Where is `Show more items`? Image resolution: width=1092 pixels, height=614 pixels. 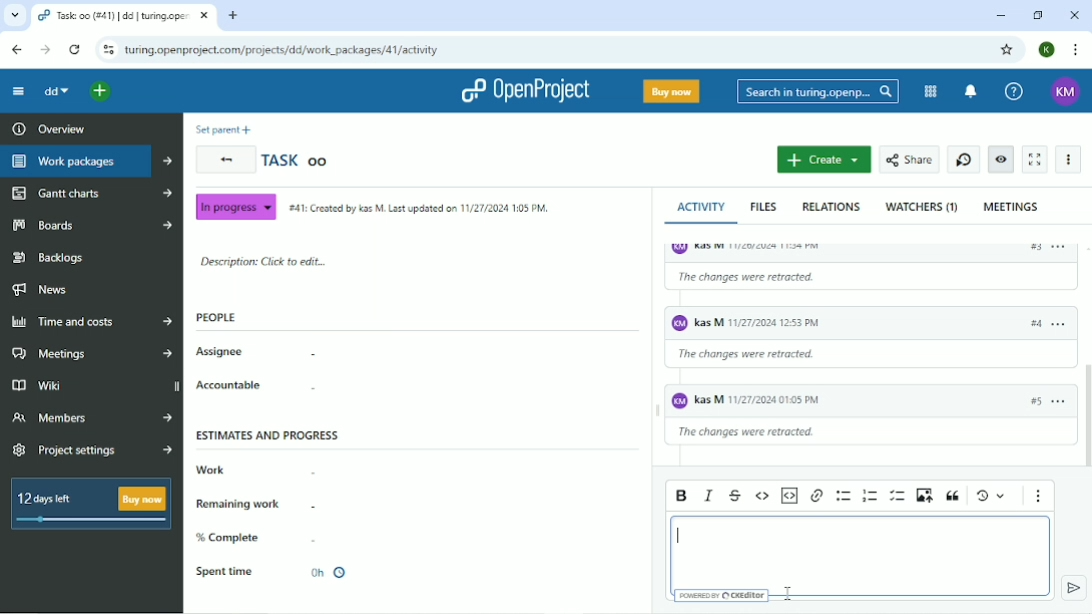 Show more items is located at coordinates (1039, 497).